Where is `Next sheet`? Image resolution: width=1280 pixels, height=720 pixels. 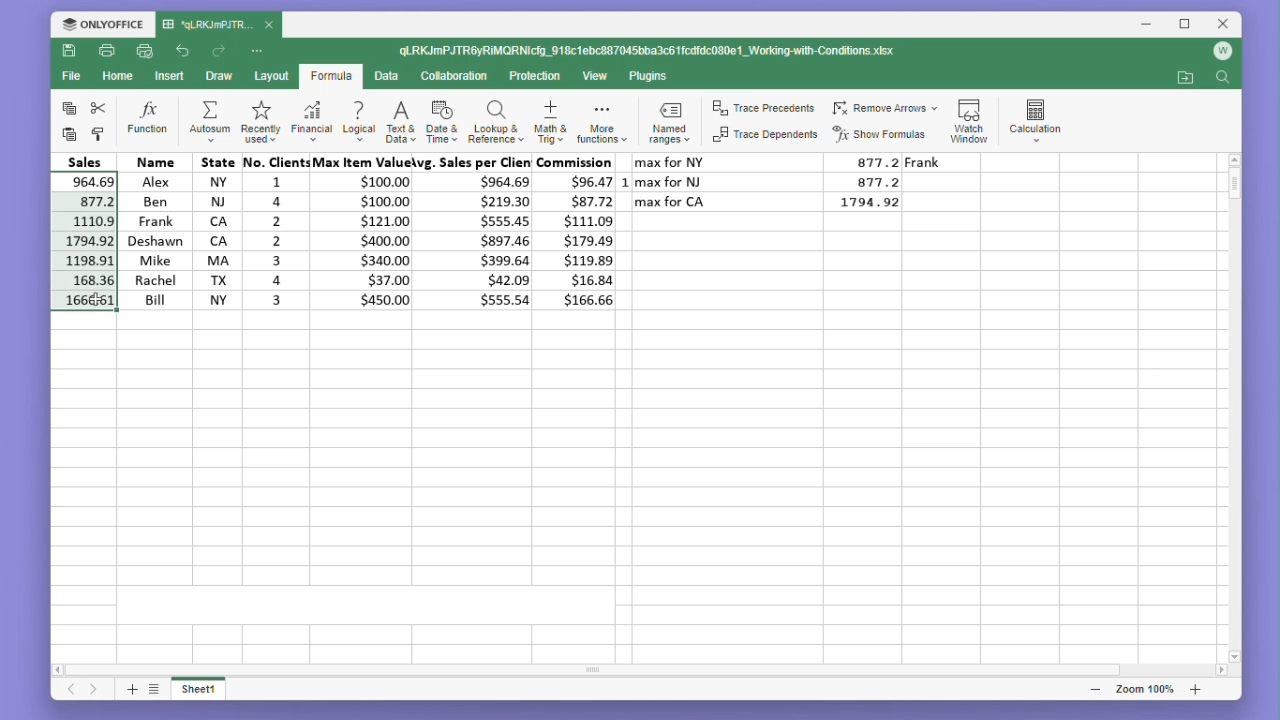
Next sheet is located at coordinates (95, 691).